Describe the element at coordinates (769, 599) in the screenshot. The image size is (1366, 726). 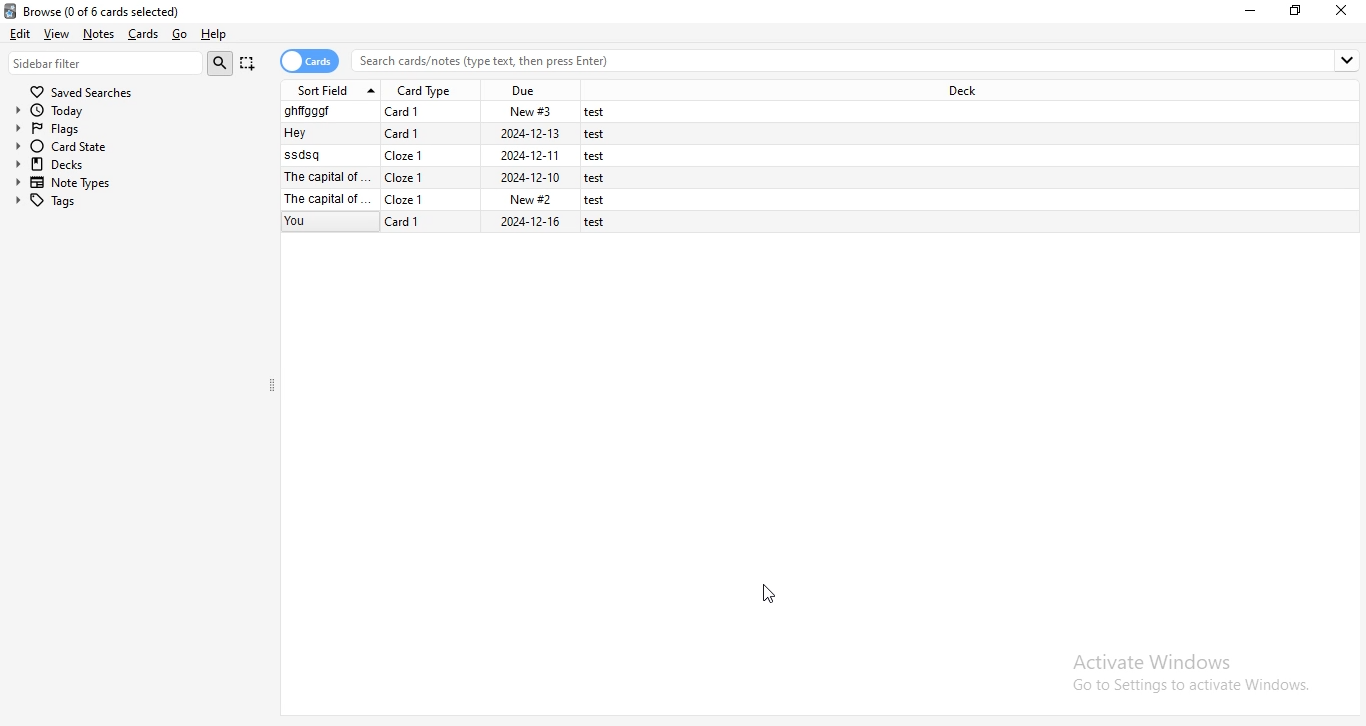
I see `cursor` at that location.